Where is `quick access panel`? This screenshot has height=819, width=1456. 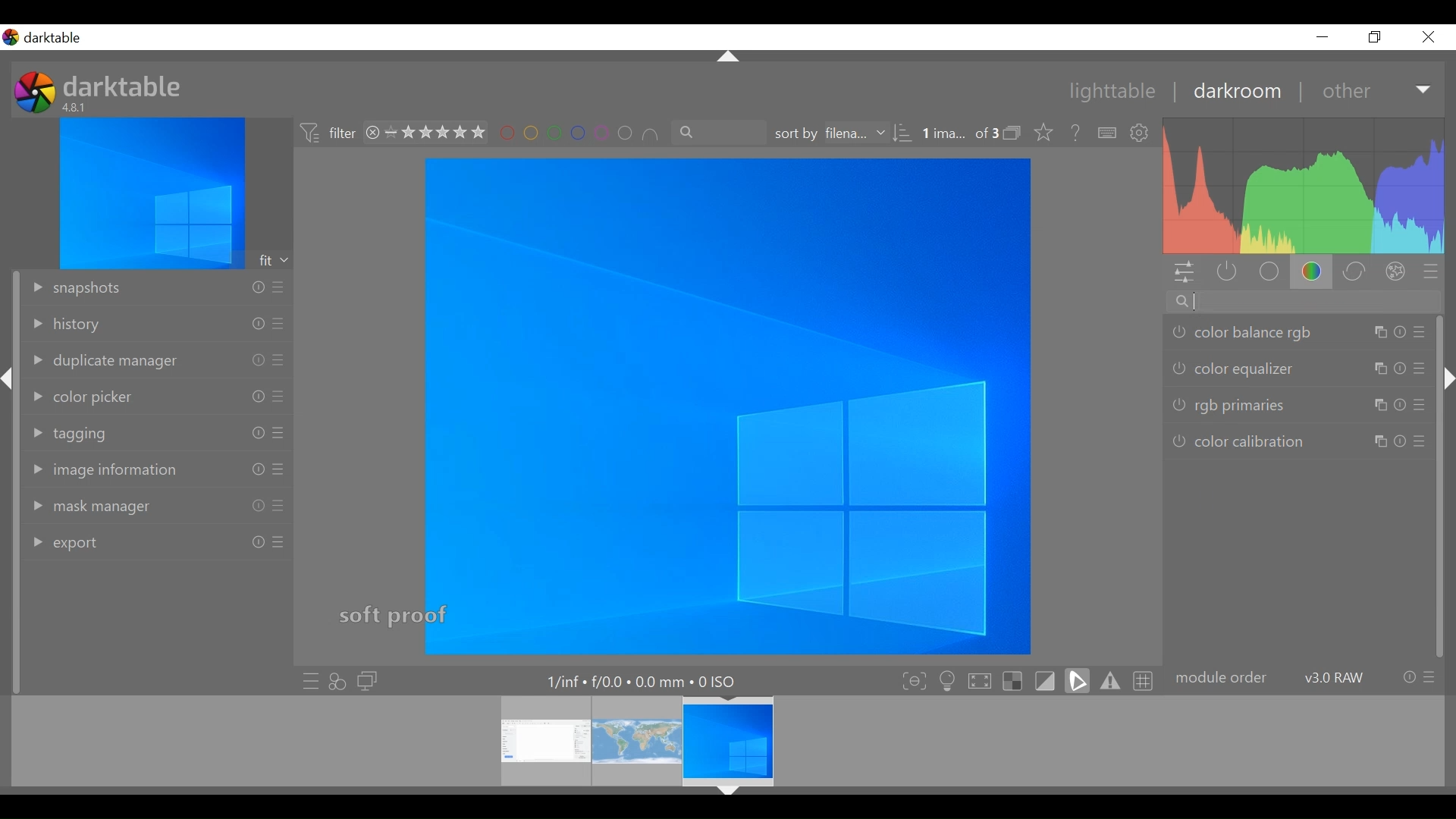
quick access panel is located at coordinates (1187, 272).